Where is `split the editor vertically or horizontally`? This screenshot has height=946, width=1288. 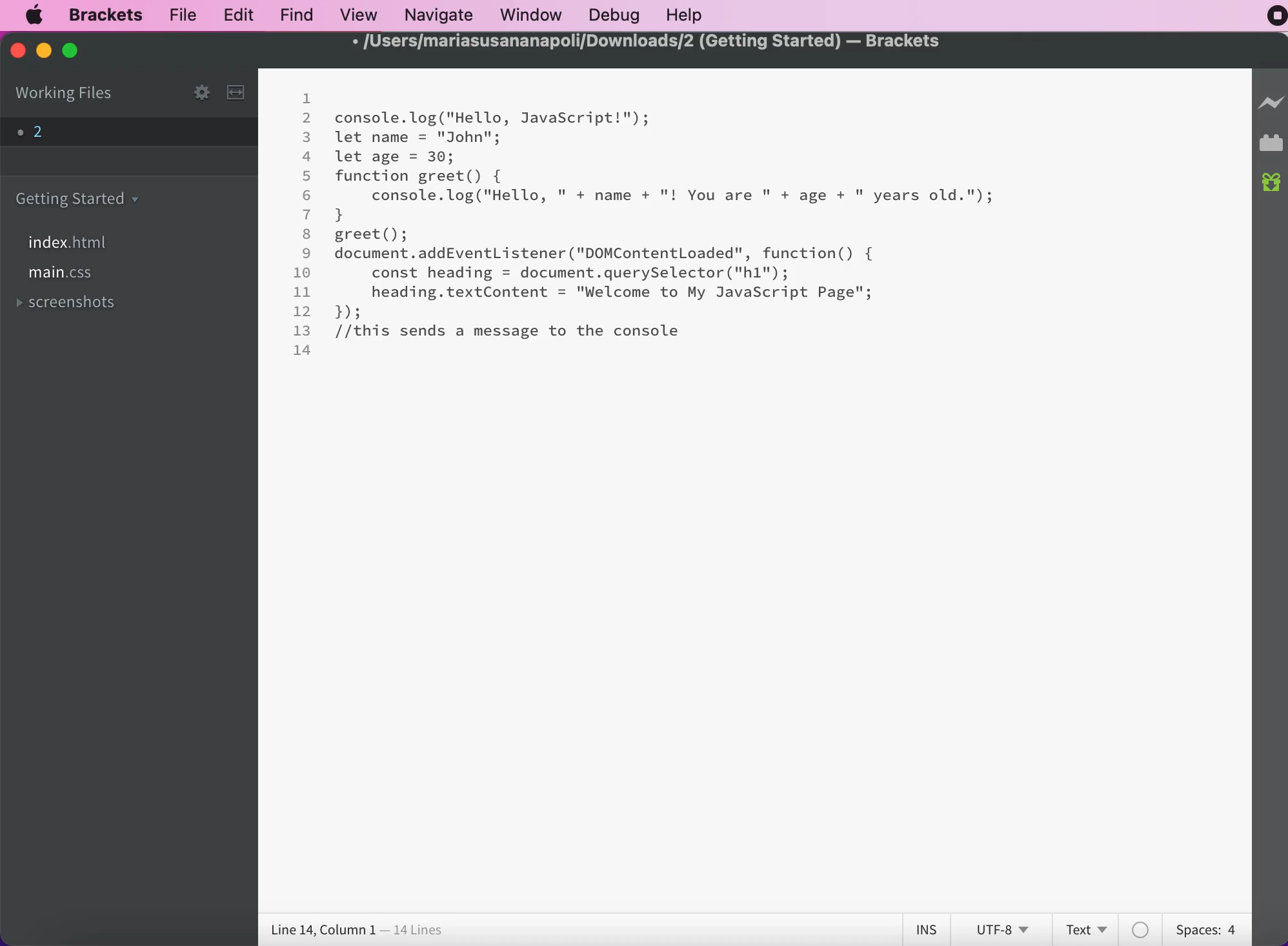
split the editor vertically or horizontally is located at coordinates (235, 94).